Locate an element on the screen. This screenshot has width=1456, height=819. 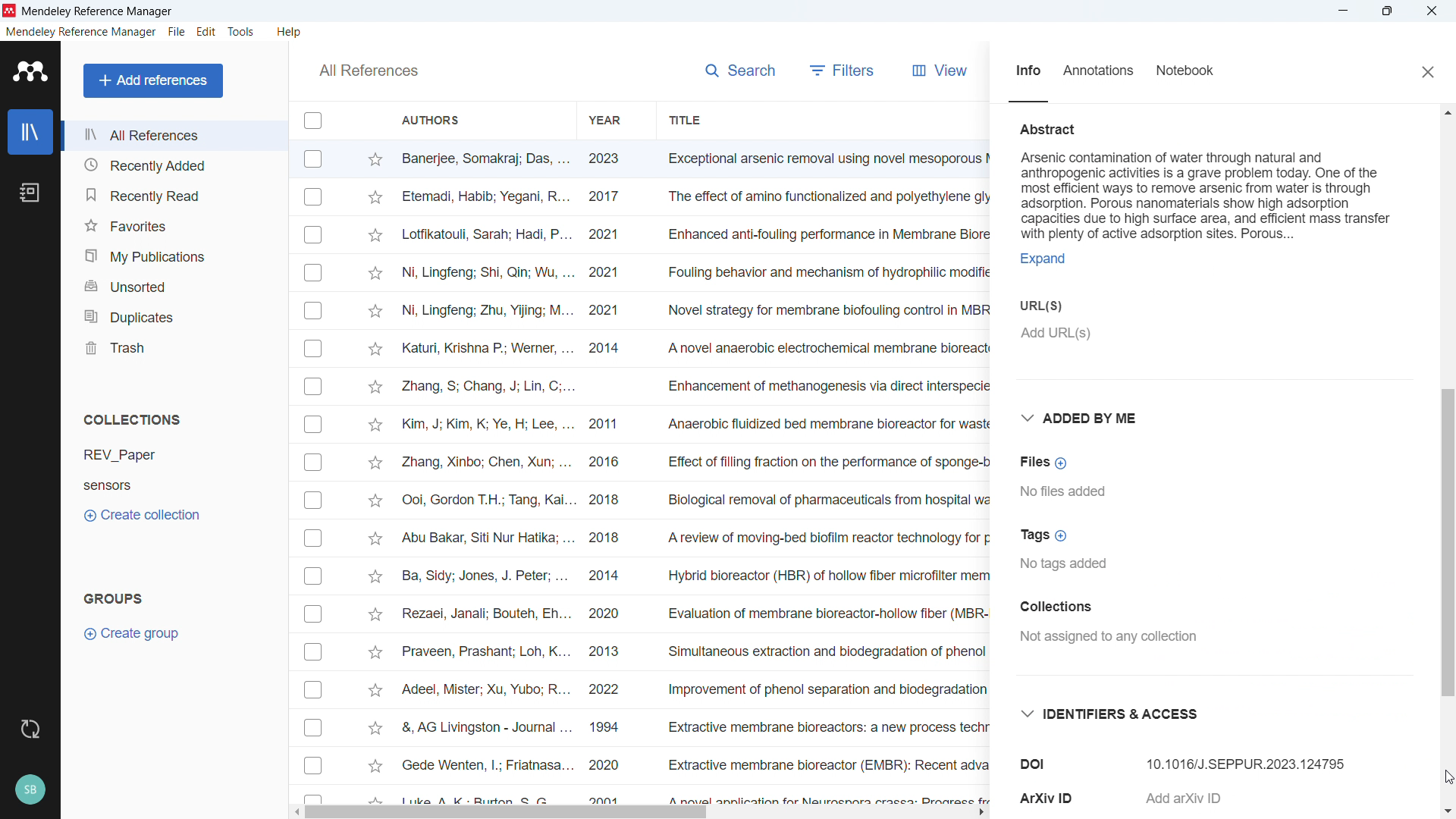
click to starmark individual entries is located at coordinates (375, 503).